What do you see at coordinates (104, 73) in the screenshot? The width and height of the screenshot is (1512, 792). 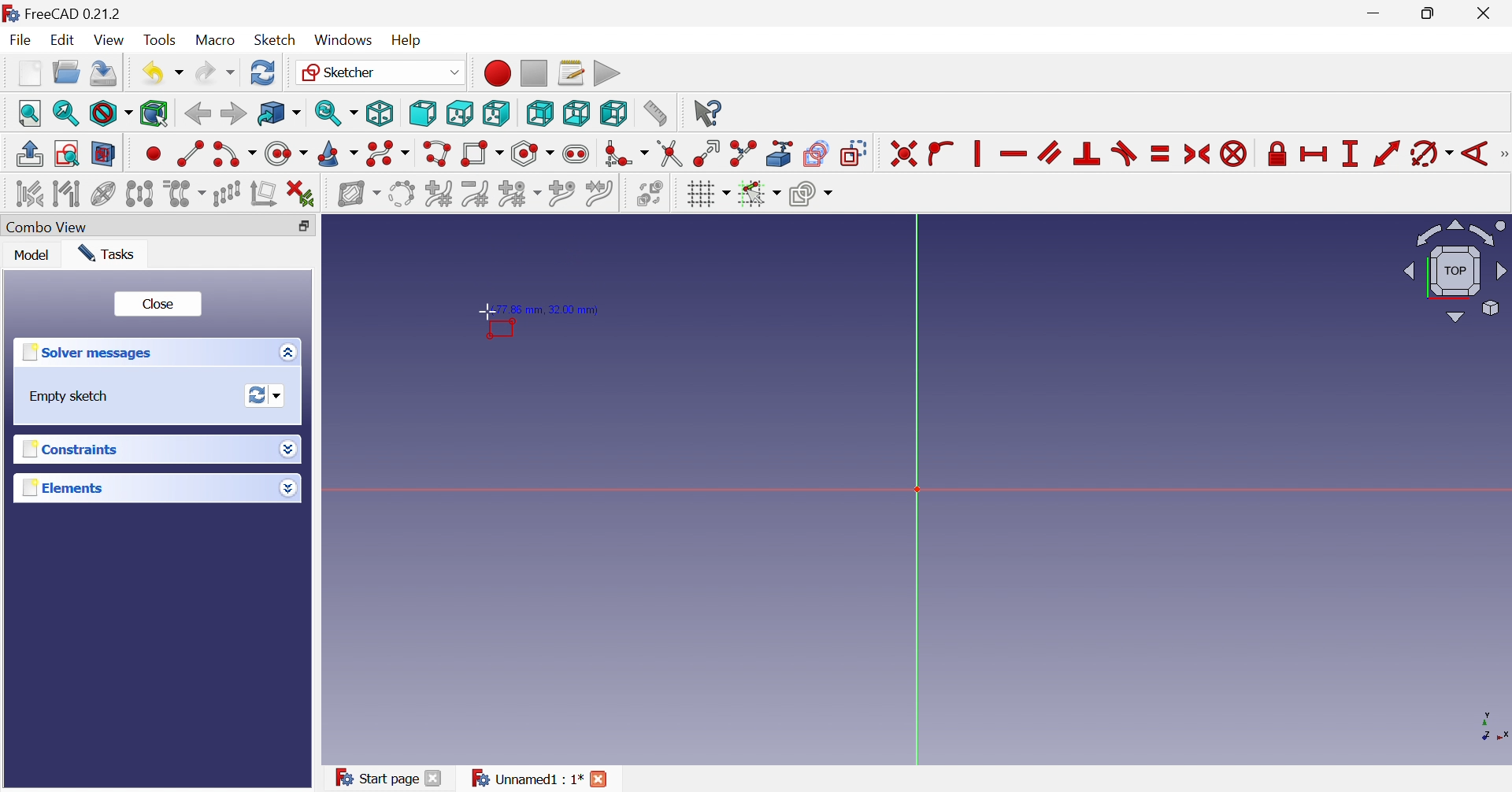 I see `Save` at bounding box center [104, 73].